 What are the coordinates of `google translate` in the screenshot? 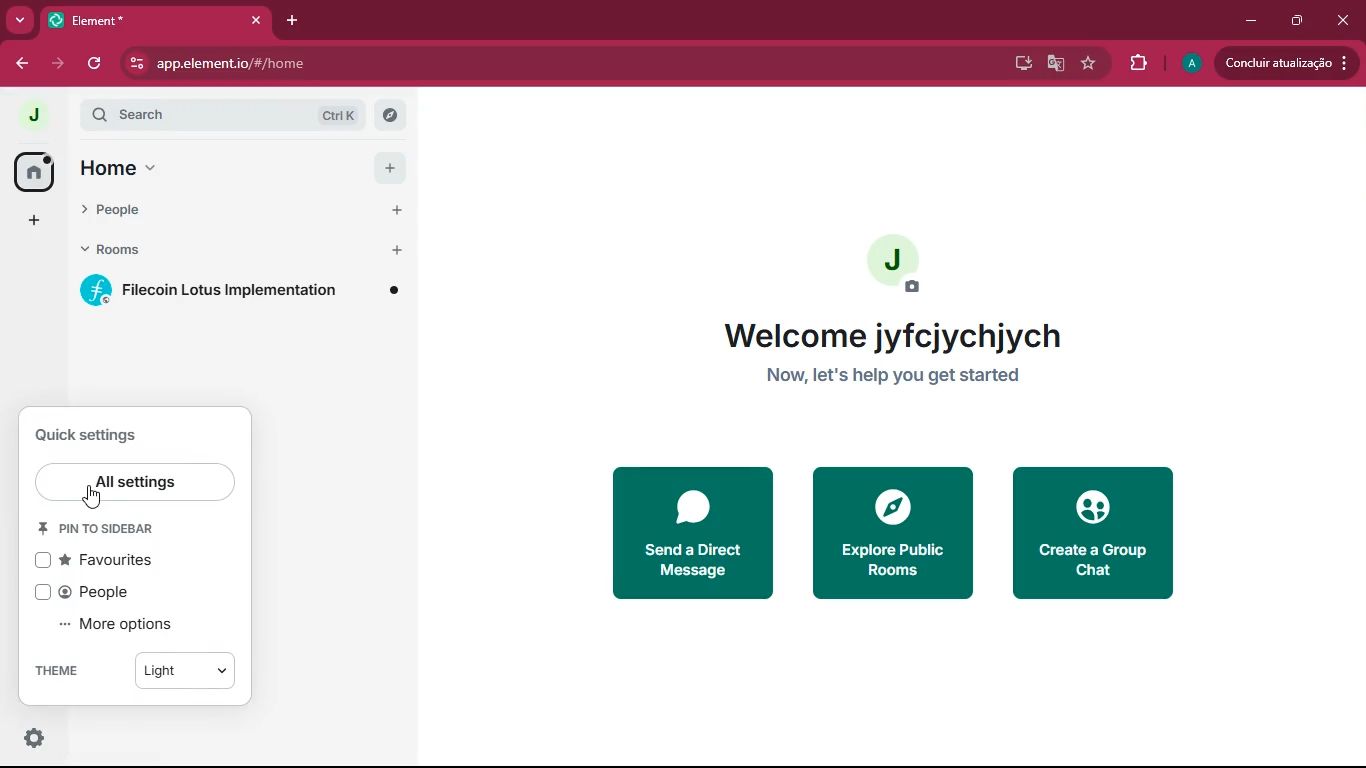 It's located at (1054, 66).